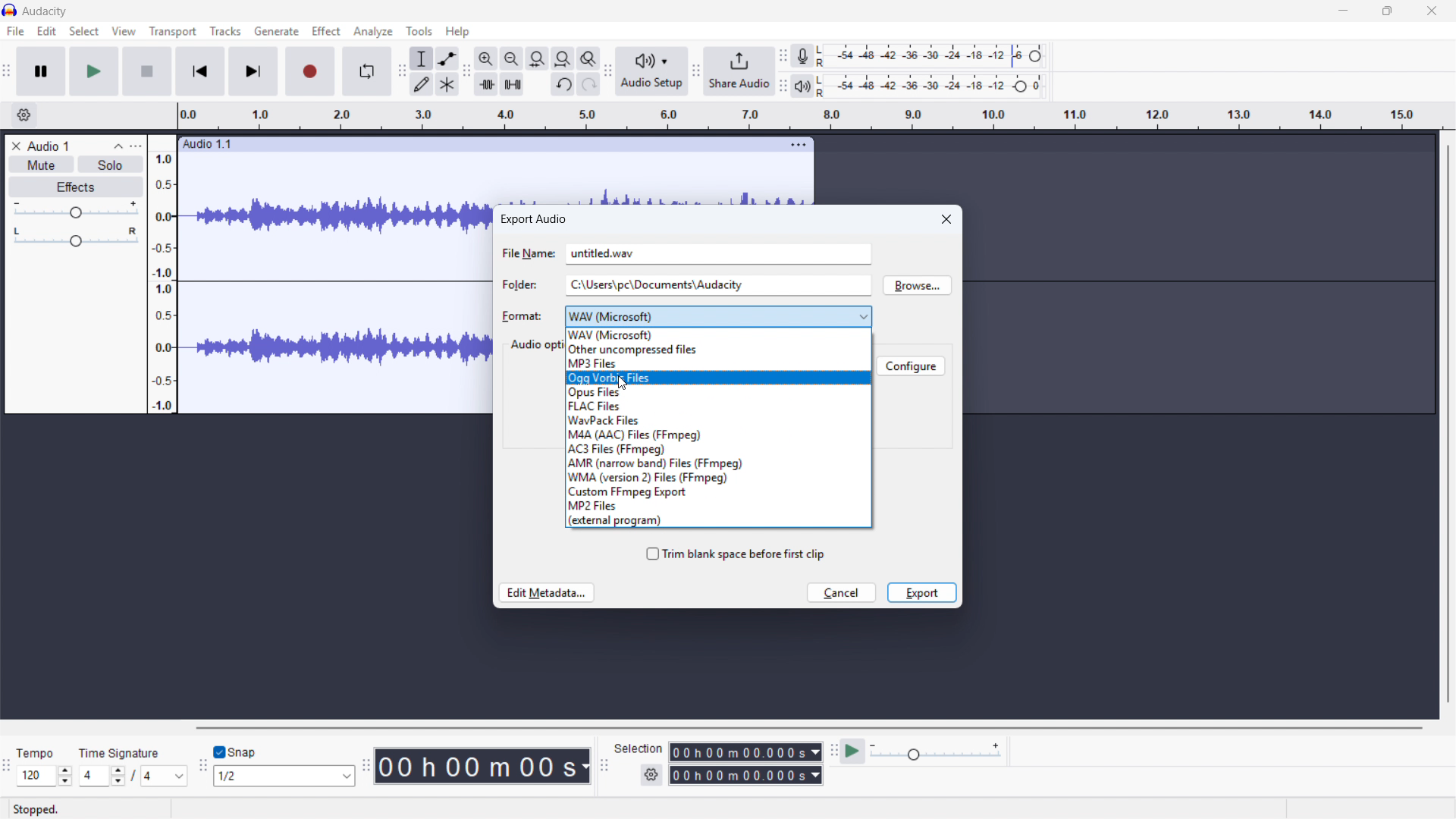 The image size is (1456, 819). Describe the element at coordinates (447, 58) in the screenshot. I see `Envelope tool ` at that location.